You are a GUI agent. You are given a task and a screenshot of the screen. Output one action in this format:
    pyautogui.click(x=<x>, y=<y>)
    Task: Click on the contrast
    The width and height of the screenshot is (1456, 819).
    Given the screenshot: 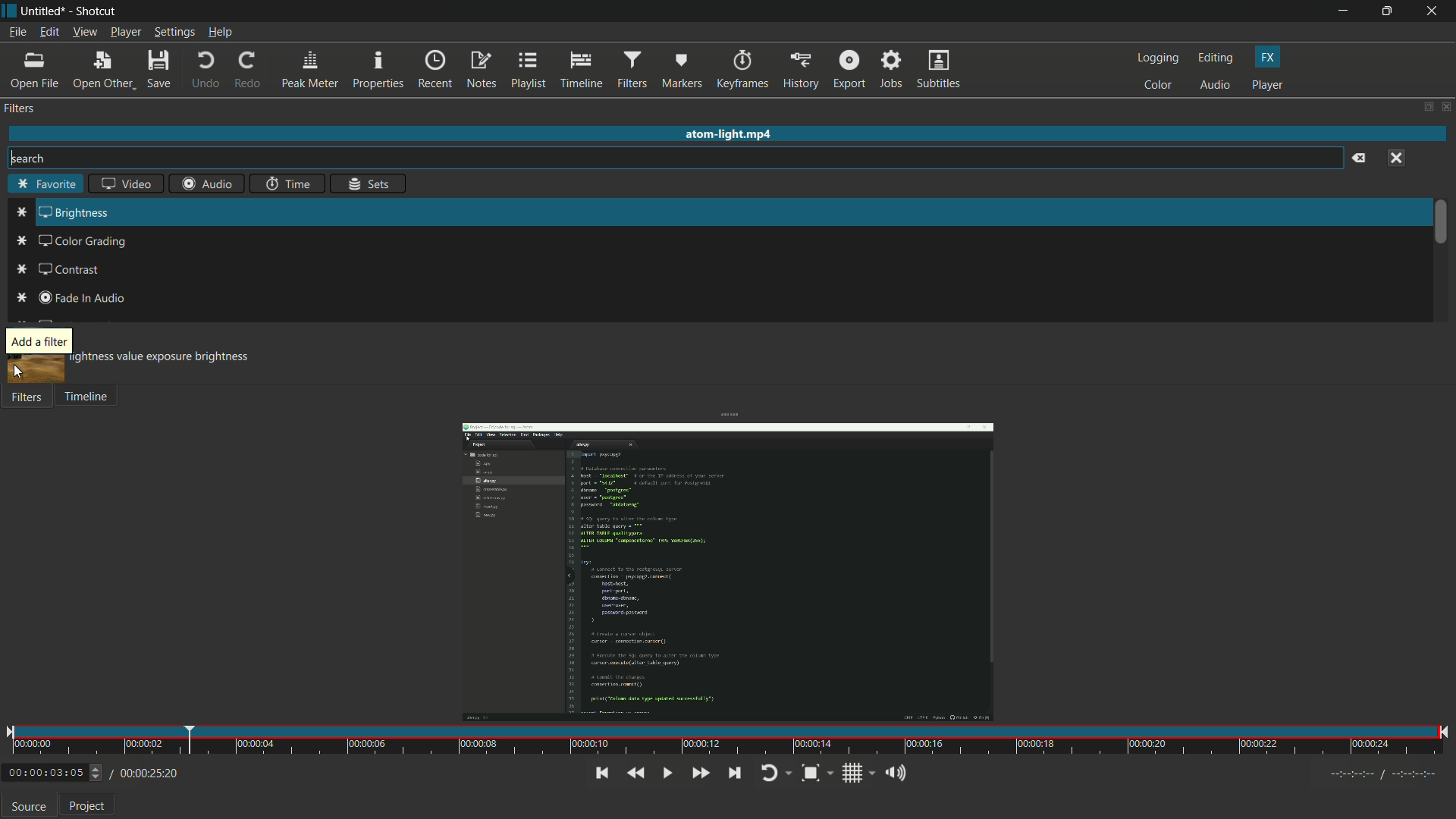 What is the action you would take?
    pyautogui.click(x=70, y=270)
    